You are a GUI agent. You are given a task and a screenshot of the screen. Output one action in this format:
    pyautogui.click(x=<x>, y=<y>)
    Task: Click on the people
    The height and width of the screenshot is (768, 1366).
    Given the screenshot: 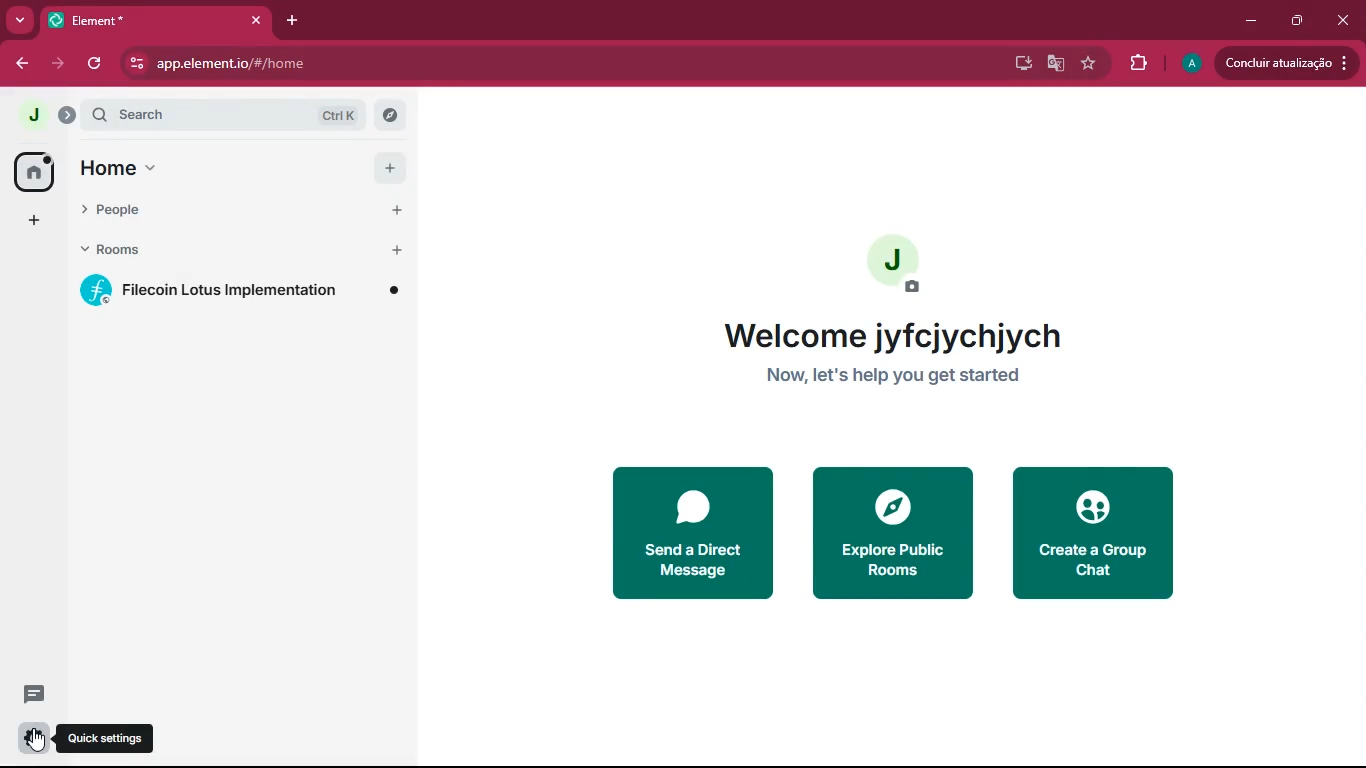 What is the action you would take?
    pyautogui.click(x=215, y=212)
    